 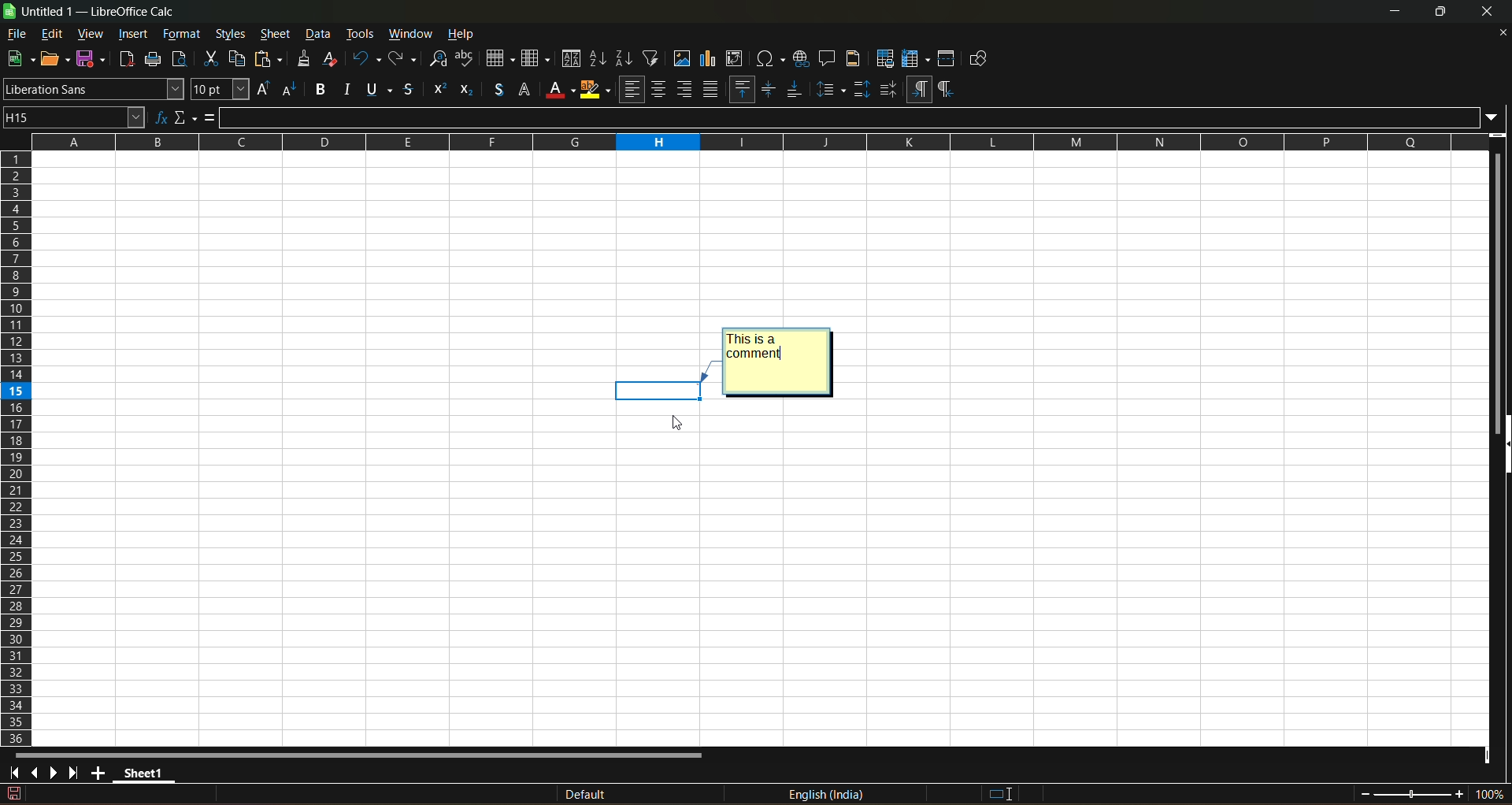 What do you see at coordinates (332, 59) in the screenshot?
I see `clear direct formatting` at bounding box center [332, 59].